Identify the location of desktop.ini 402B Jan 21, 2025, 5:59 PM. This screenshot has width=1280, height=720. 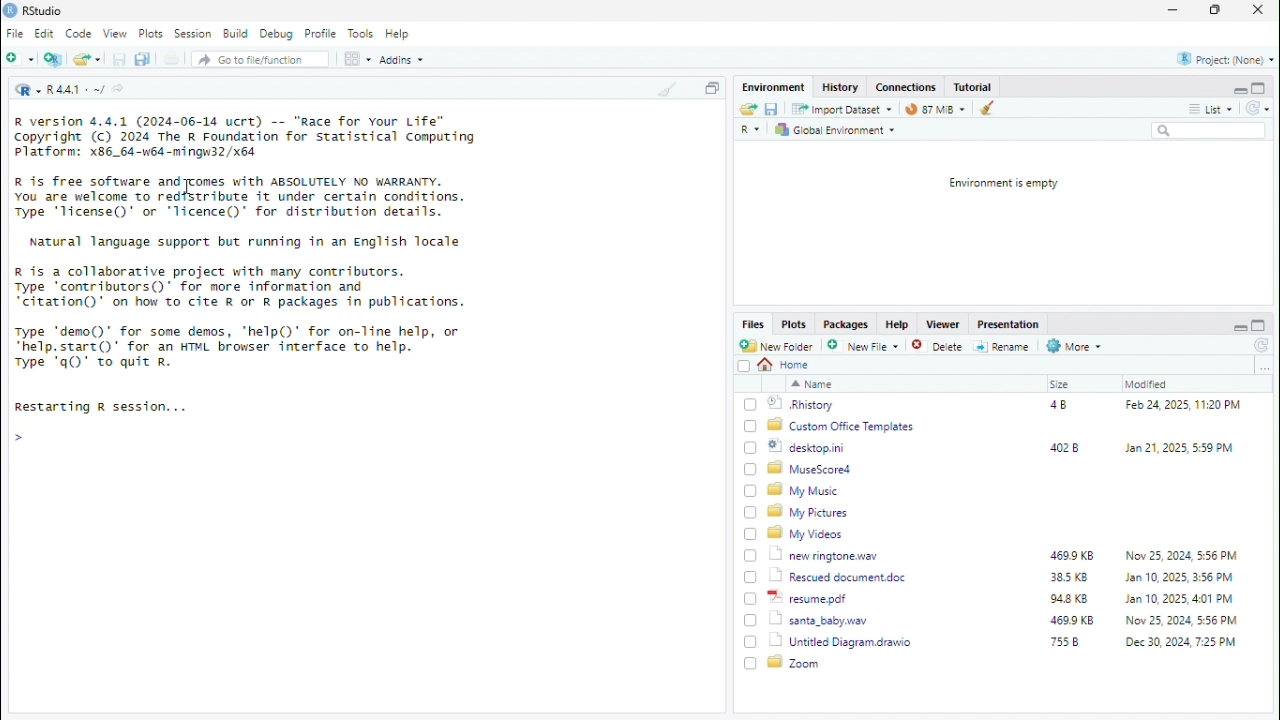
(1004, 447).